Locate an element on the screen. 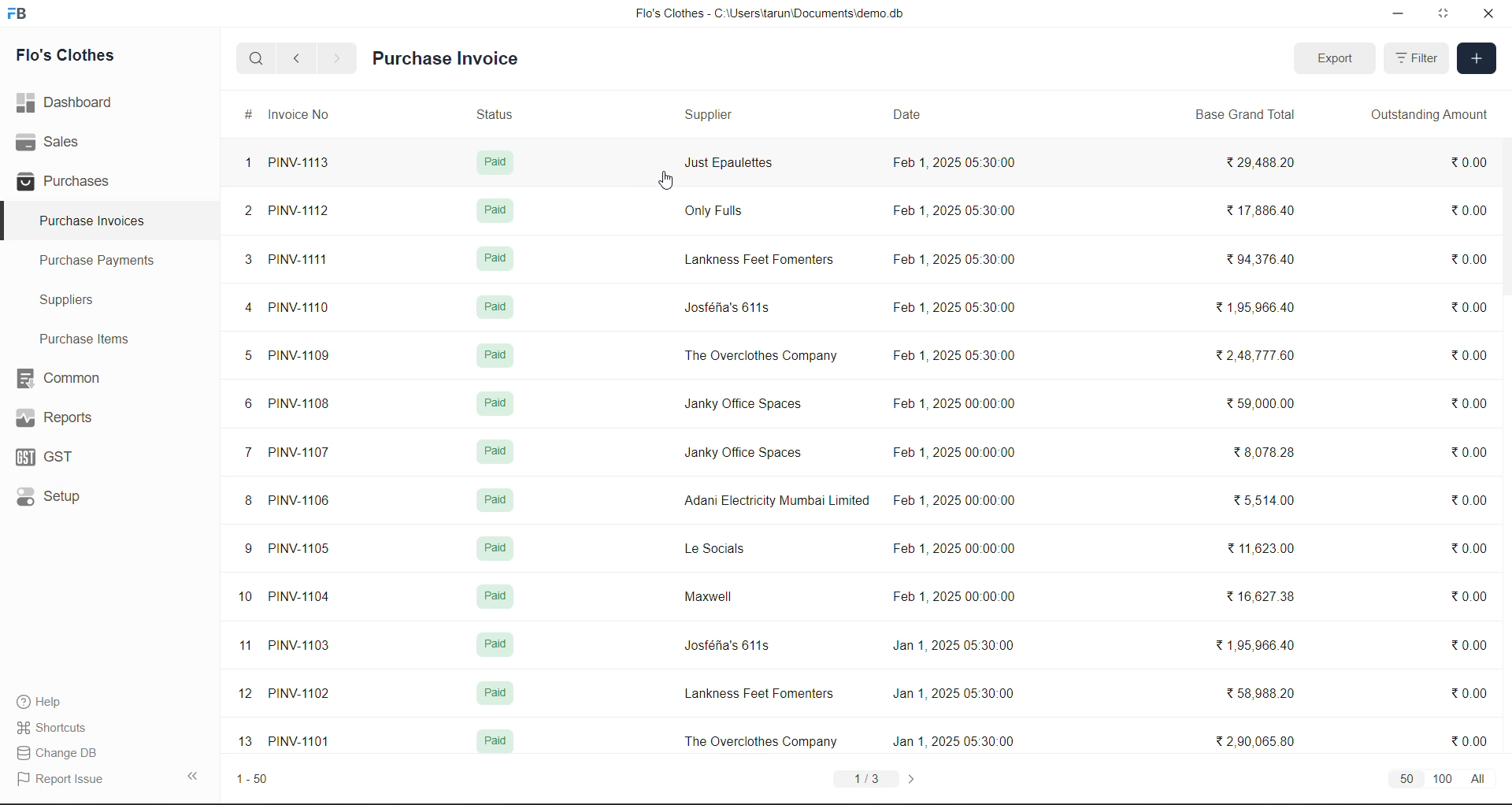  search is located at coordinates (258, 58).